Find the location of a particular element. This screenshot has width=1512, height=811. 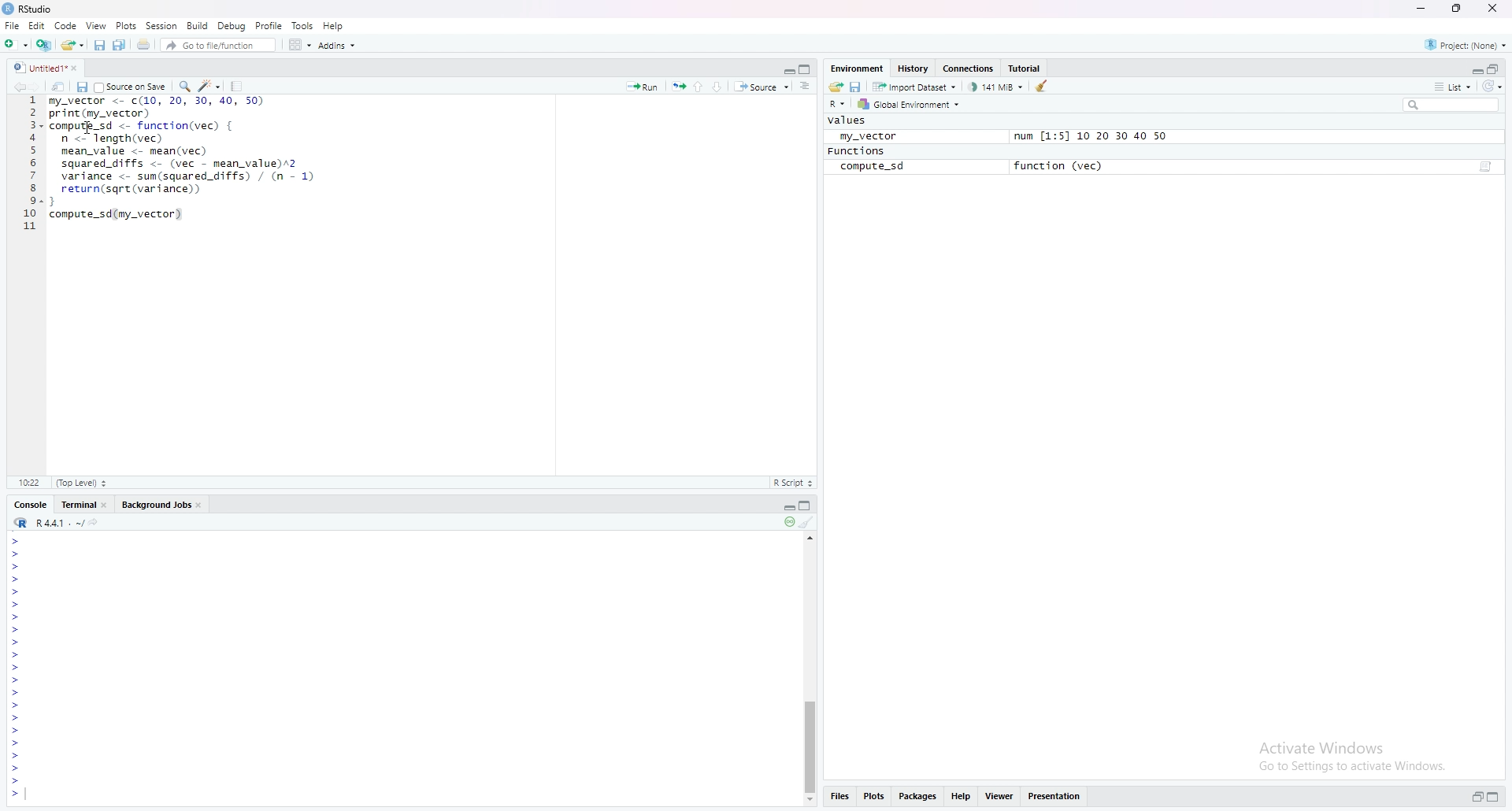

Prompt cursor is located at coordinates (14, 794).